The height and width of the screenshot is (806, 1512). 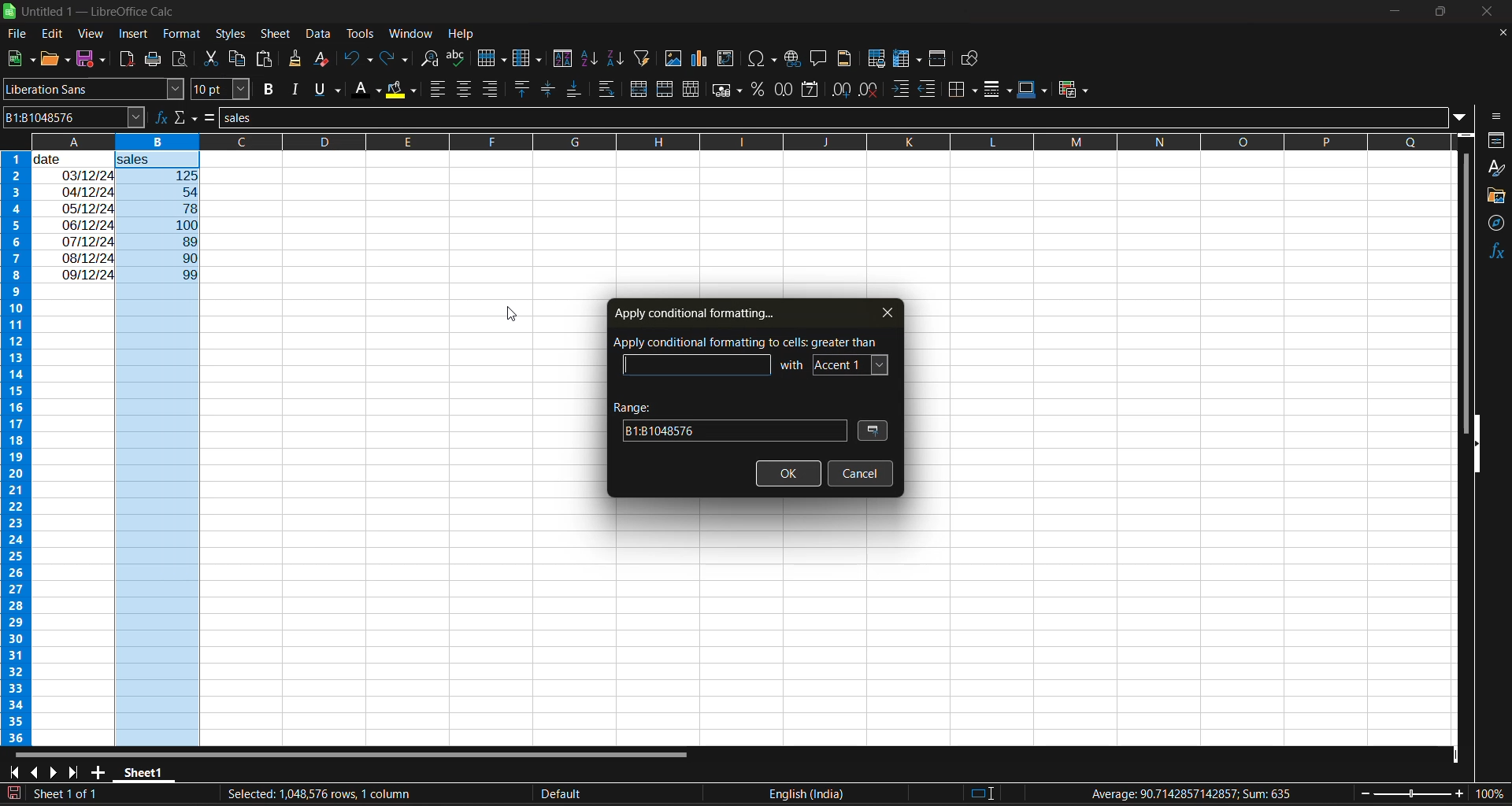 What do you see at coordinates (163, 449) in the screenshot?
I see `highlighted column` at bounding box center [163, 449].